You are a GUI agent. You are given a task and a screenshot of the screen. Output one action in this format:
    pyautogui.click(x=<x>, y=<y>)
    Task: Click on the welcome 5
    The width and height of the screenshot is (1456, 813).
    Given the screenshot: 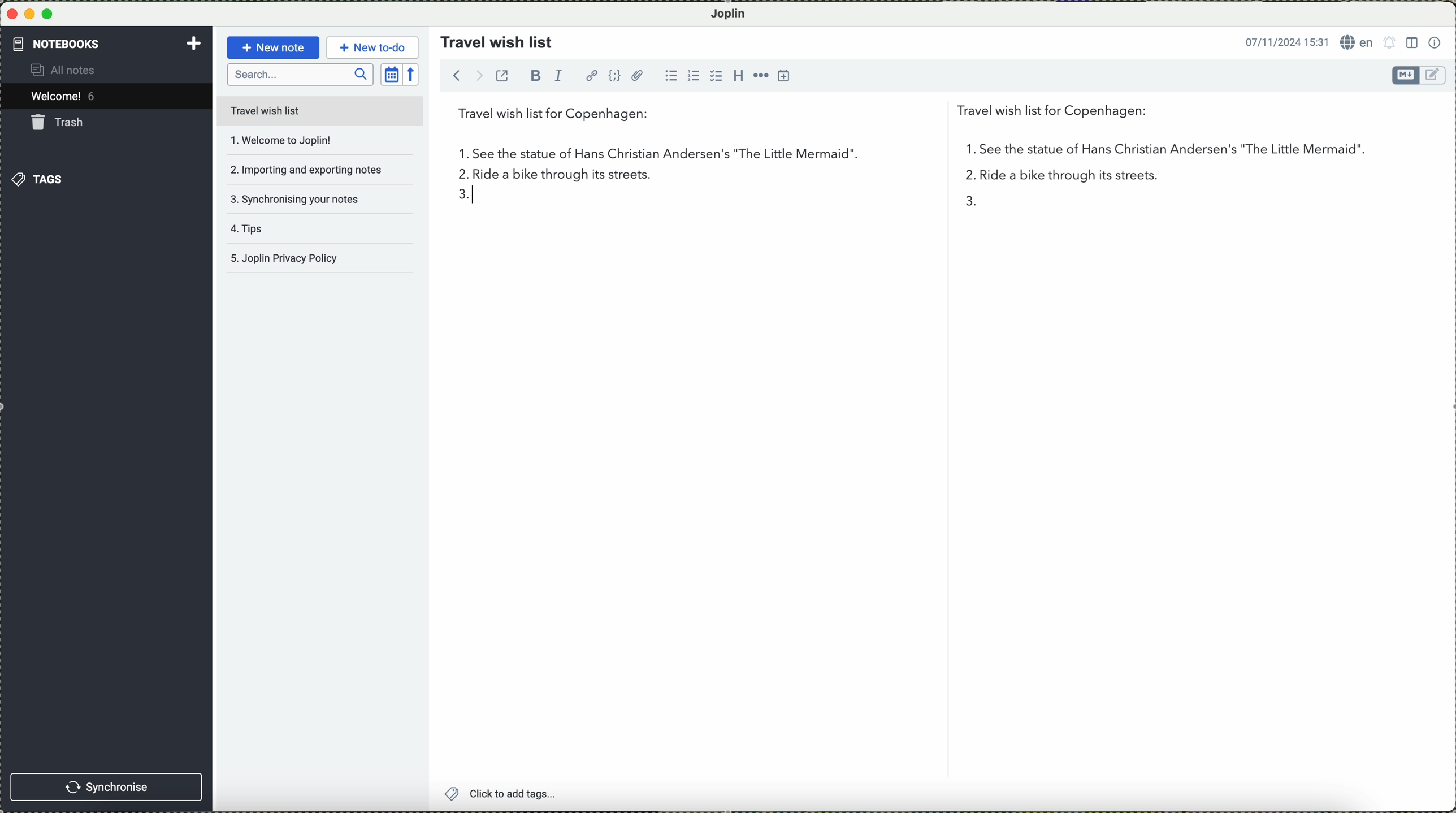 What is the action you would take?
    pyautogui.click(x=66, y=98)
    